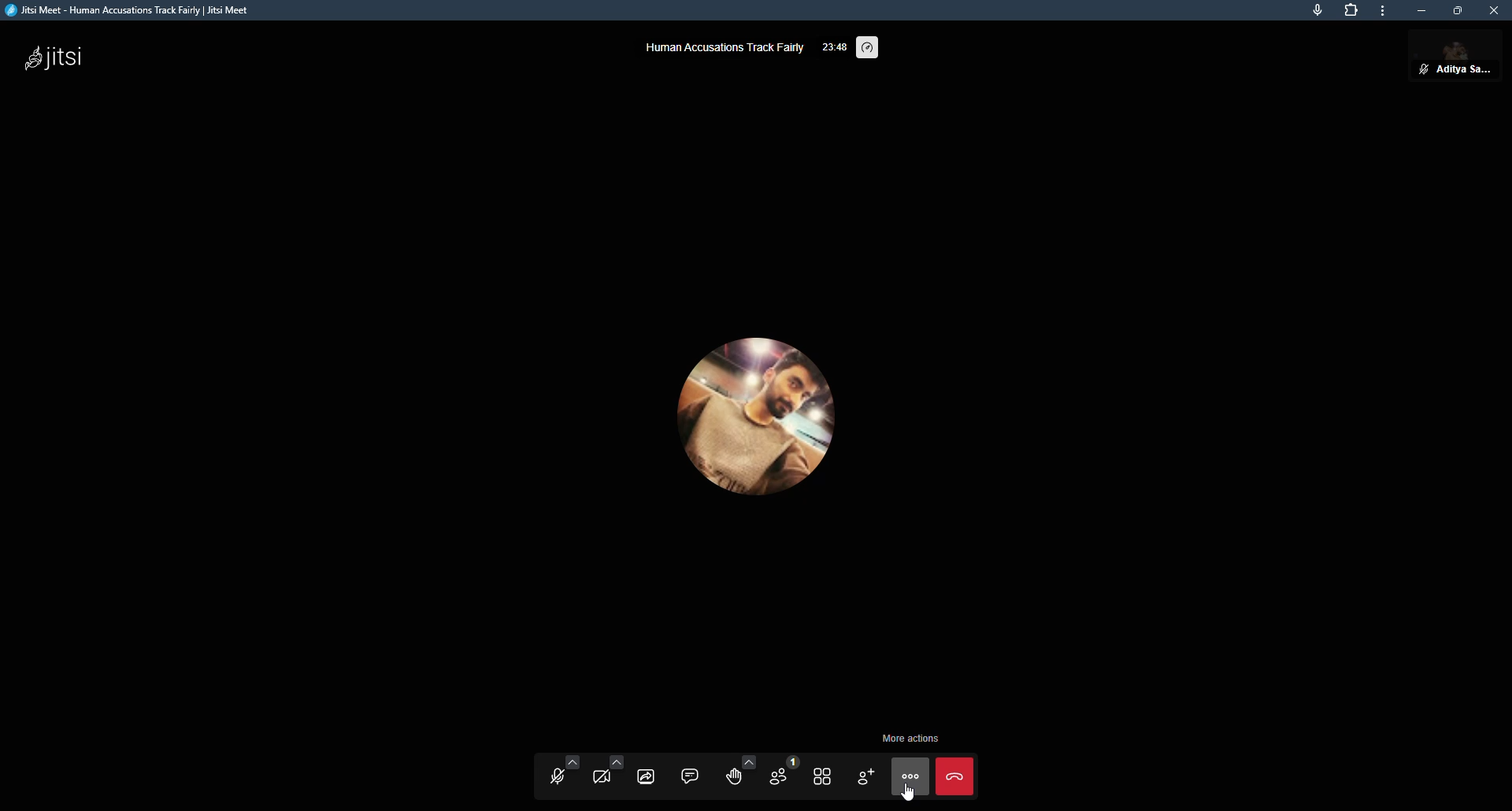 Image resolution: width=1512 pixels, height=811 pixels. What do you see at coordinates (54, 61) in the screenshot?
I see `jitsi` at bounding box center [54, 61].